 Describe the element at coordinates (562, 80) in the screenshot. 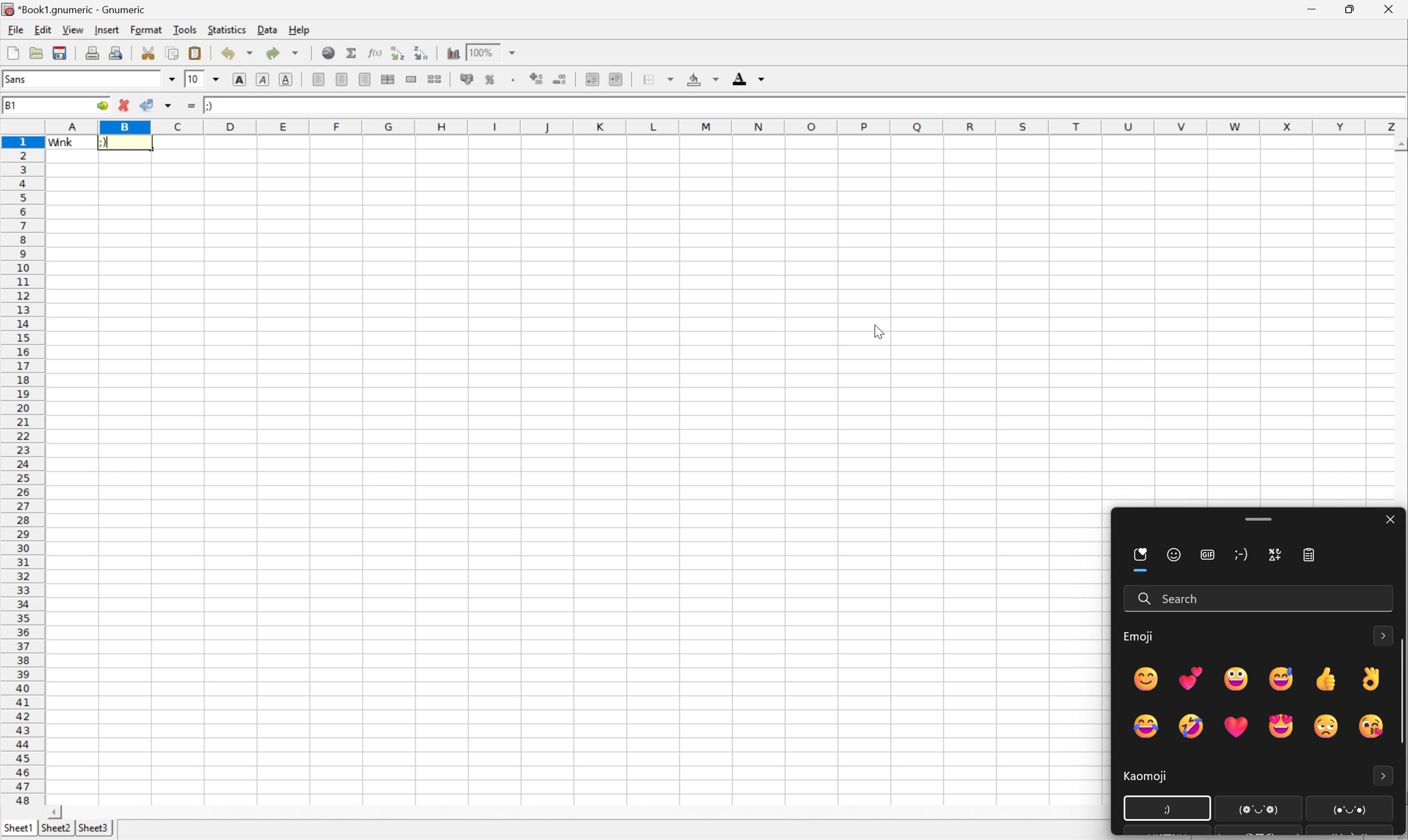

I see `decrease number of decimals displayed` at that location.